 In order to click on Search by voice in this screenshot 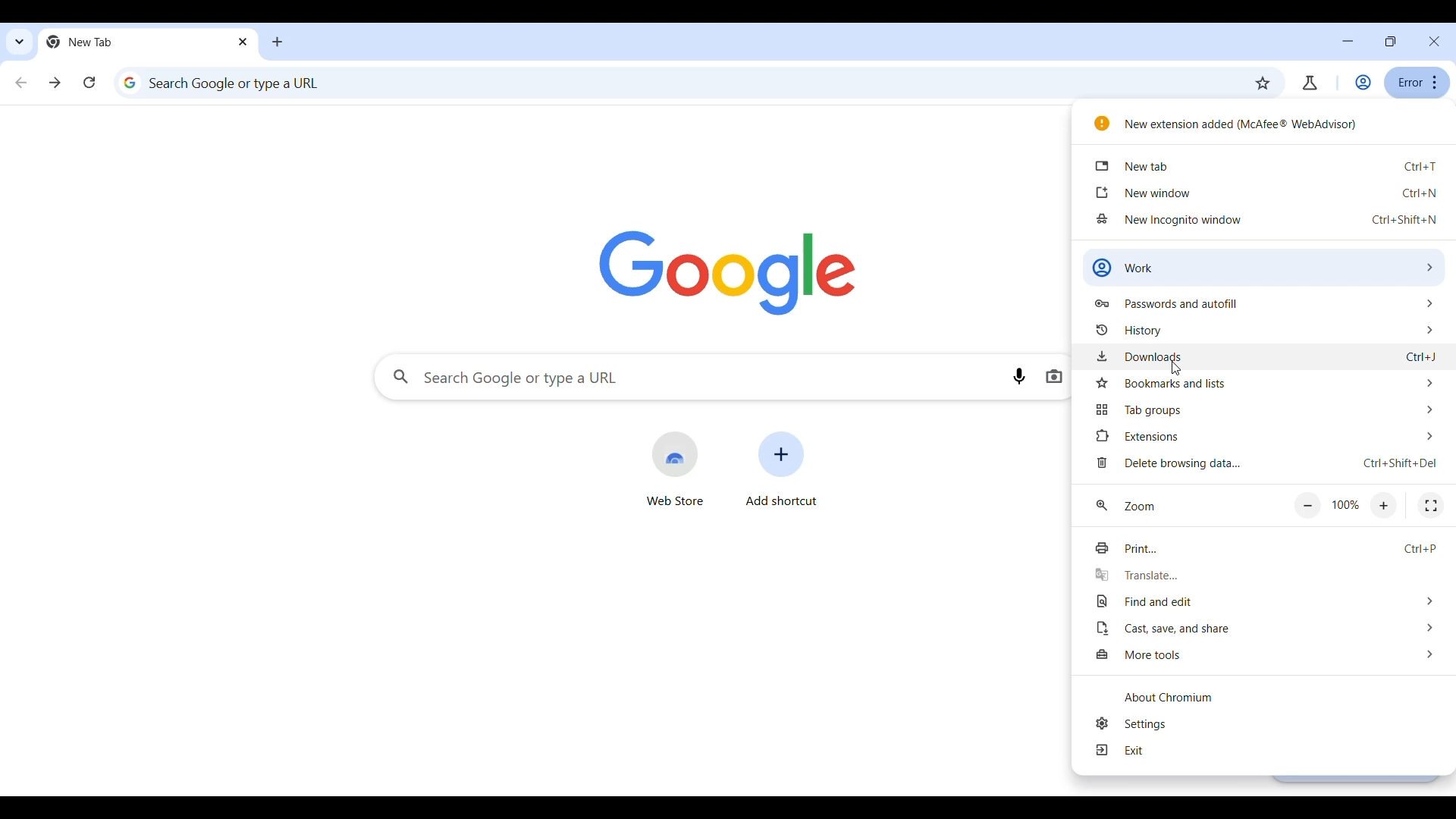, I will do `click(1019, 376)`.